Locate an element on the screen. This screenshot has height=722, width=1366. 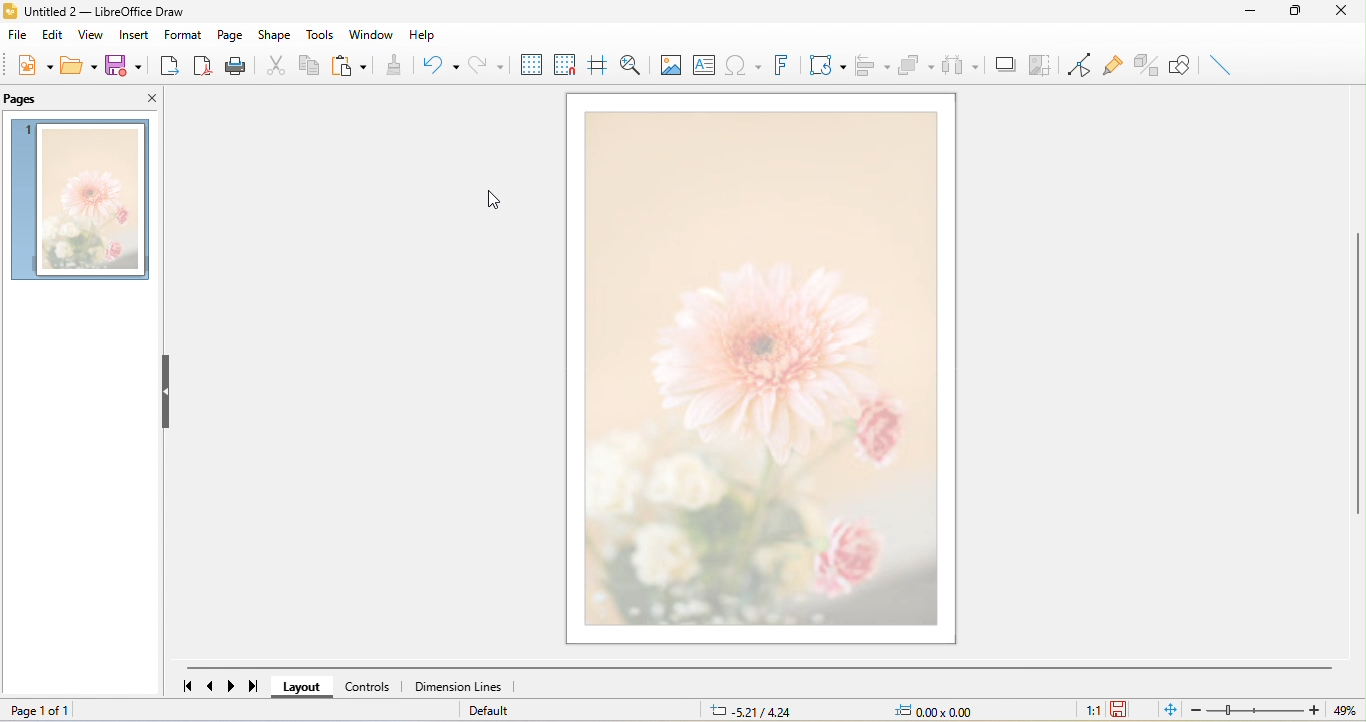
background image transparency to 70% appeared is located at coordinates (760, 372).